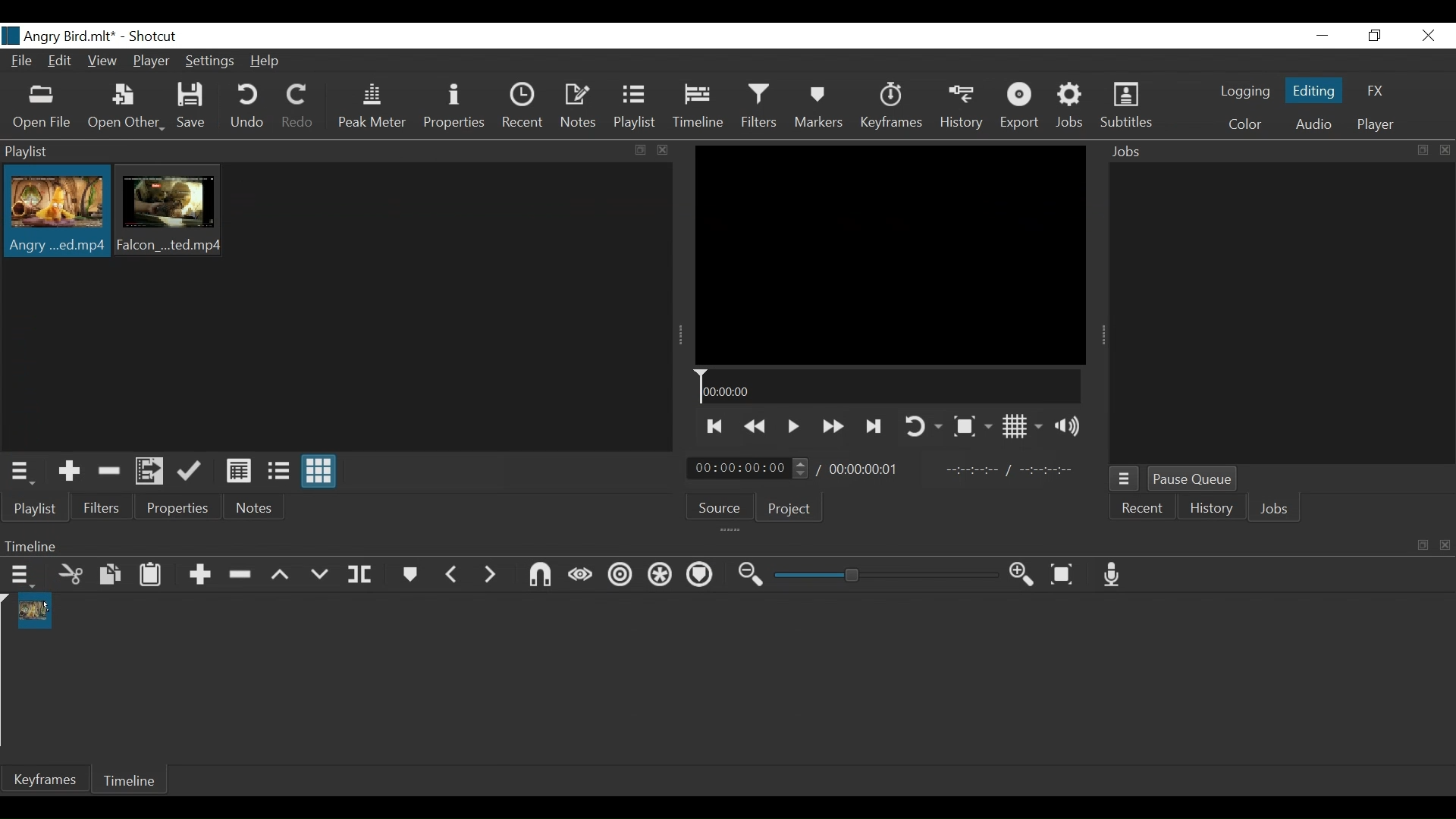  I want to click on Properties, so click(454, 108).